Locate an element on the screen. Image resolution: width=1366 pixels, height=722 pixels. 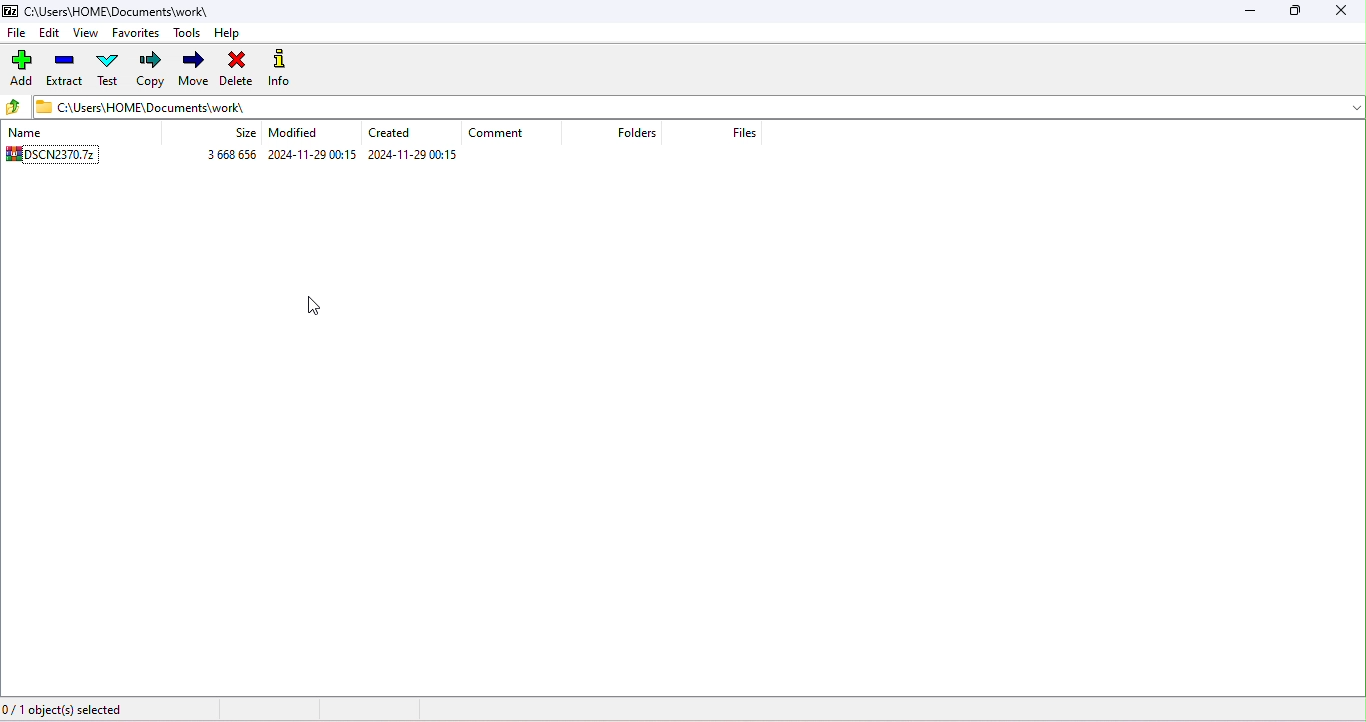
modified data and time is located at coordinates (313, 155).